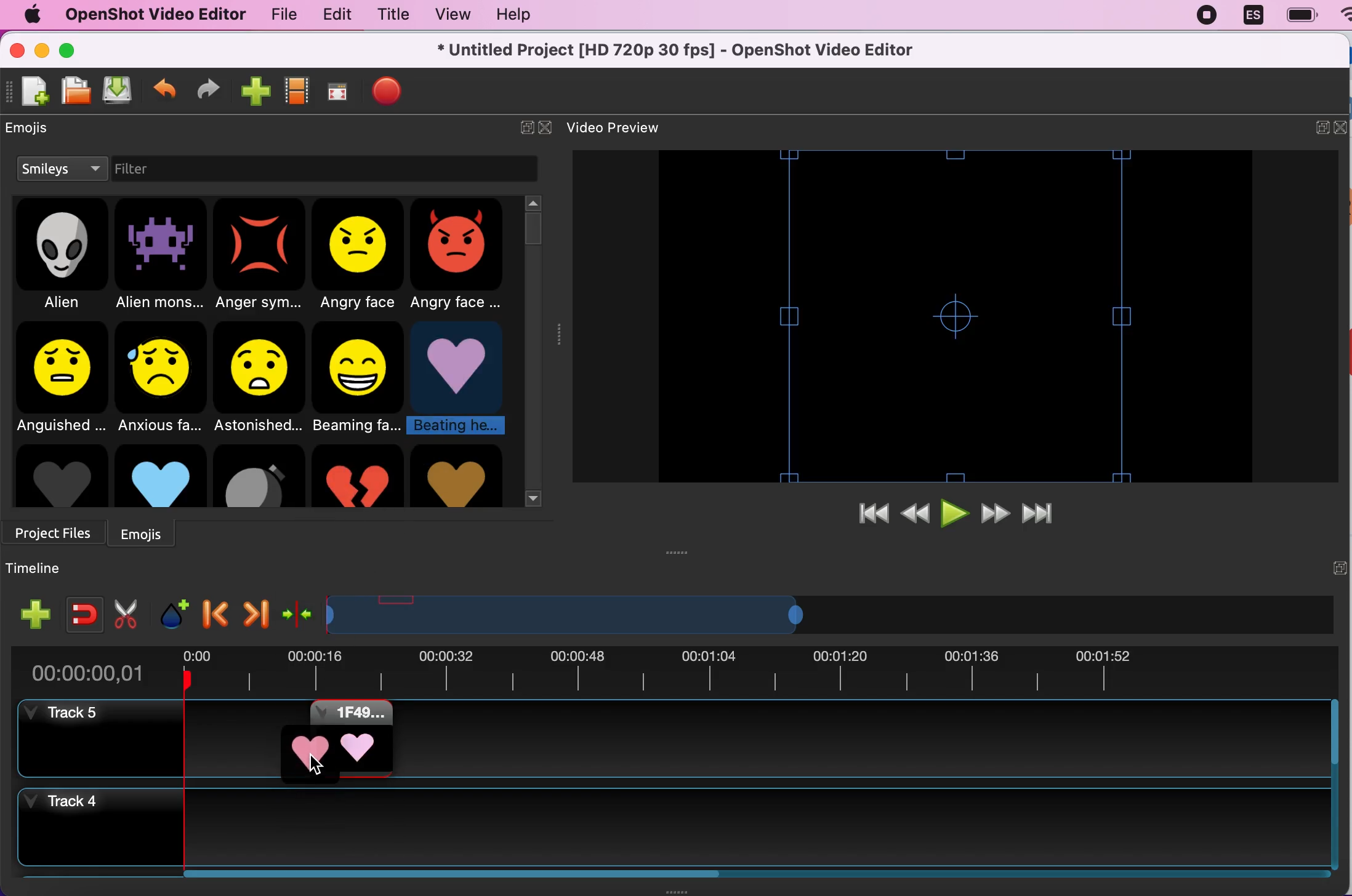 The width and height of the screenshot is (1352, 896). Describe the element at coordinates (360, 256) in the screenshot. I see `angry face` at that location.